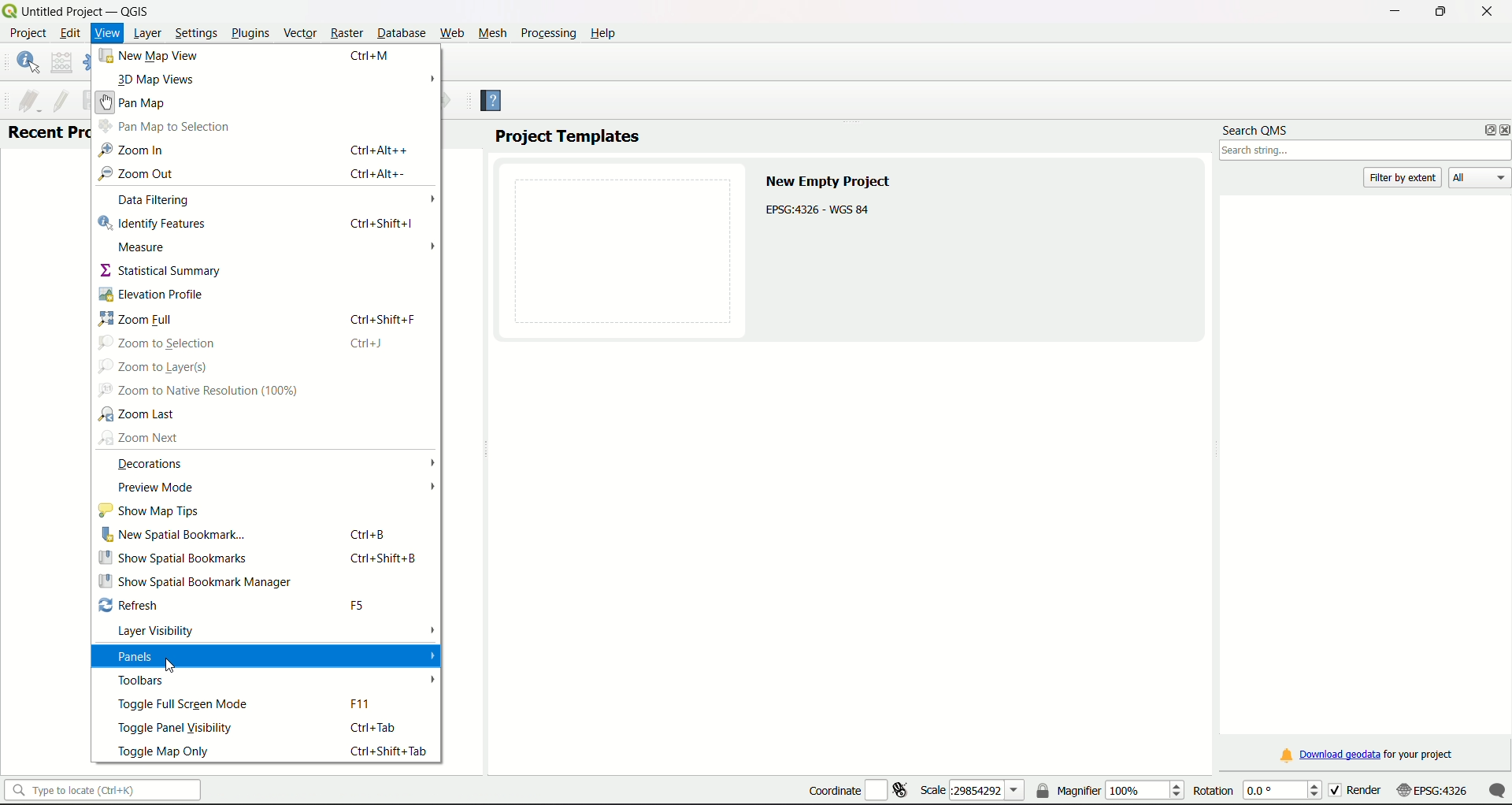 The height and width of the screenshot is (805, 1512). What do you see at coordinates (361, 704) in the screenshot?
I see `F11` at bounding box center [361, 704].